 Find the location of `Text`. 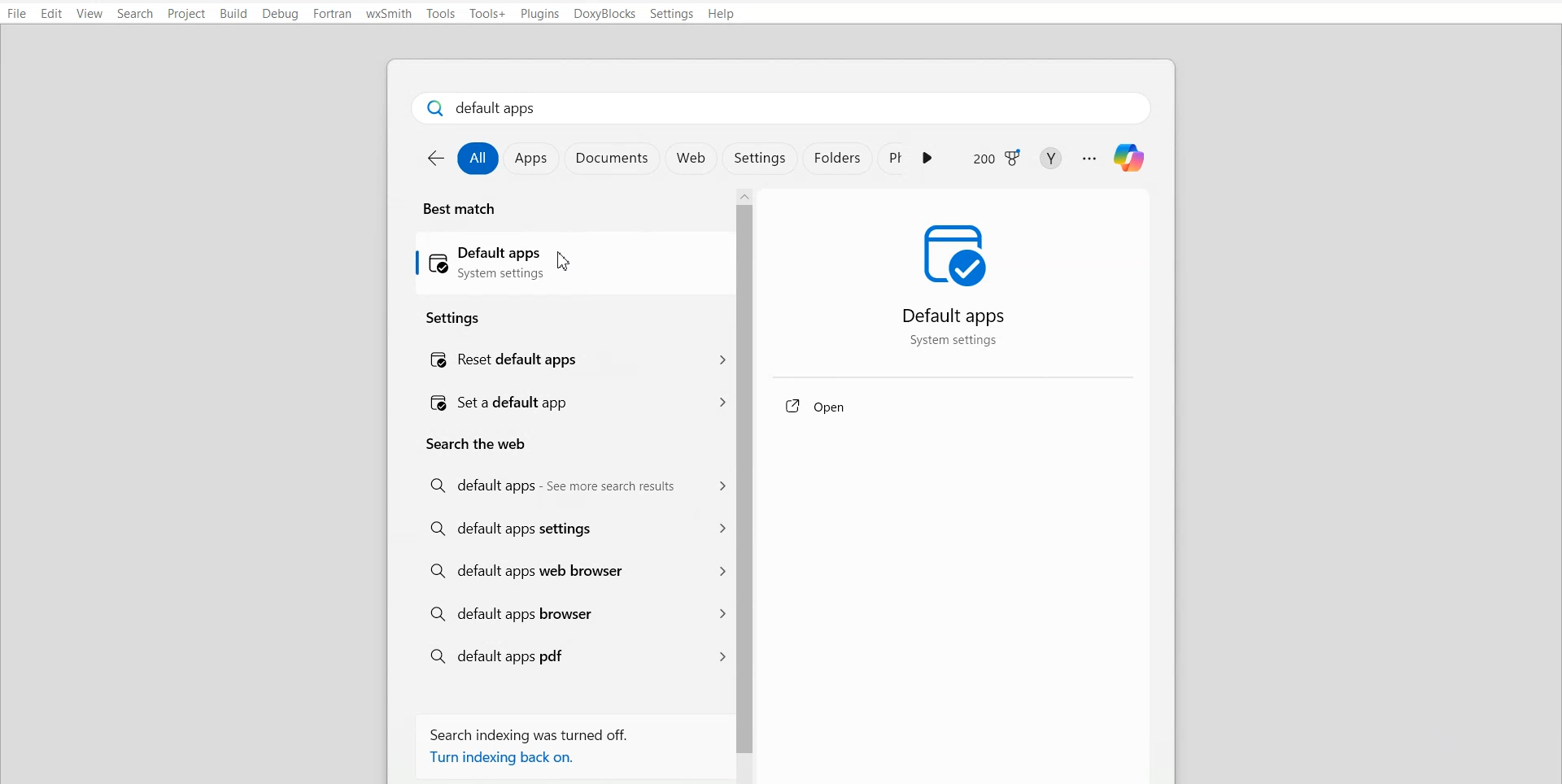

Text is located at coordinates (476, 445).